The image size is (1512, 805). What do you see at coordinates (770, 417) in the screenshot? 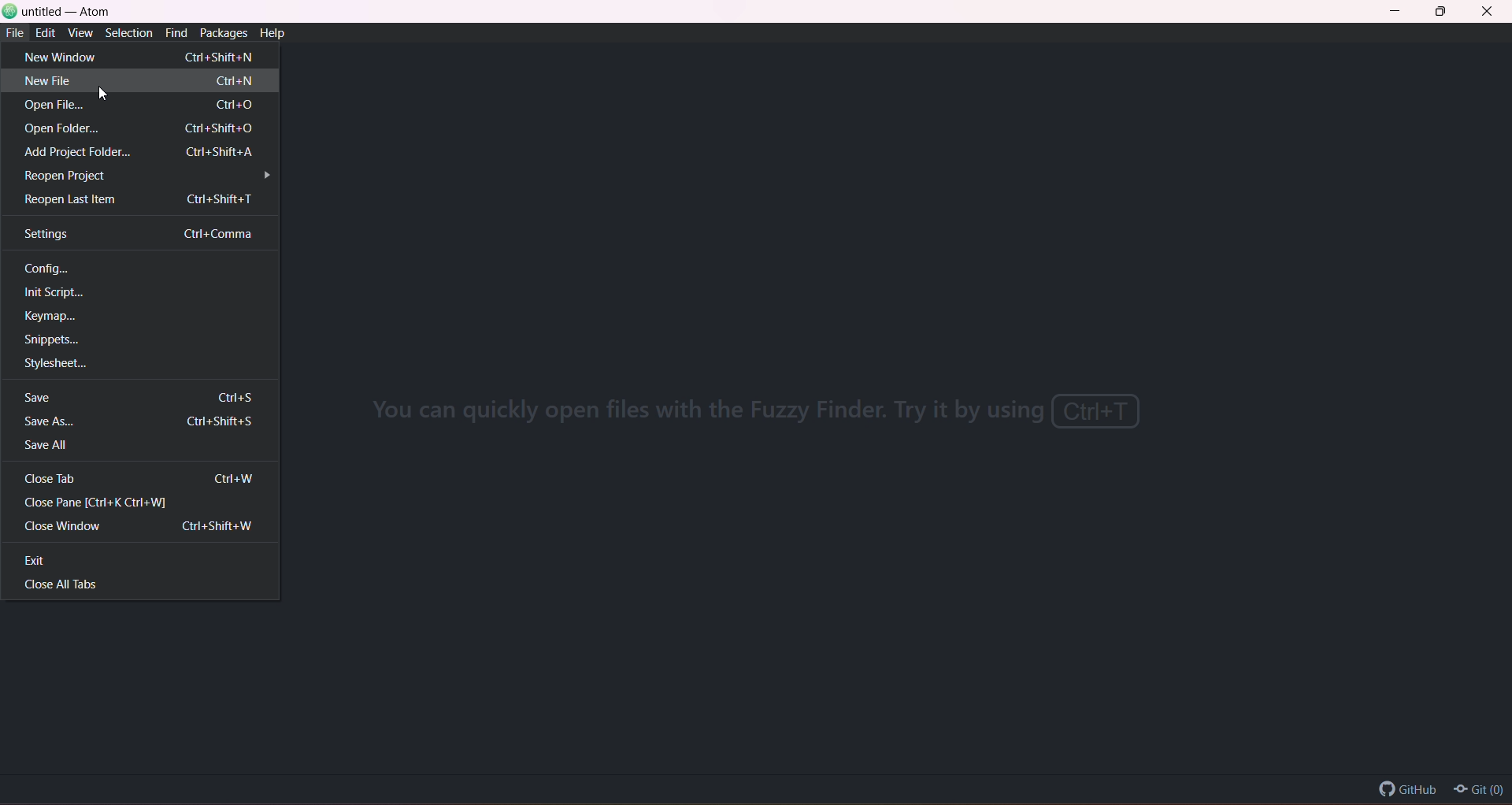
I see `You can quickly open files with the Fuzzy Finder. Try it by using Ctrl+T` at bounding box center [770, 417].